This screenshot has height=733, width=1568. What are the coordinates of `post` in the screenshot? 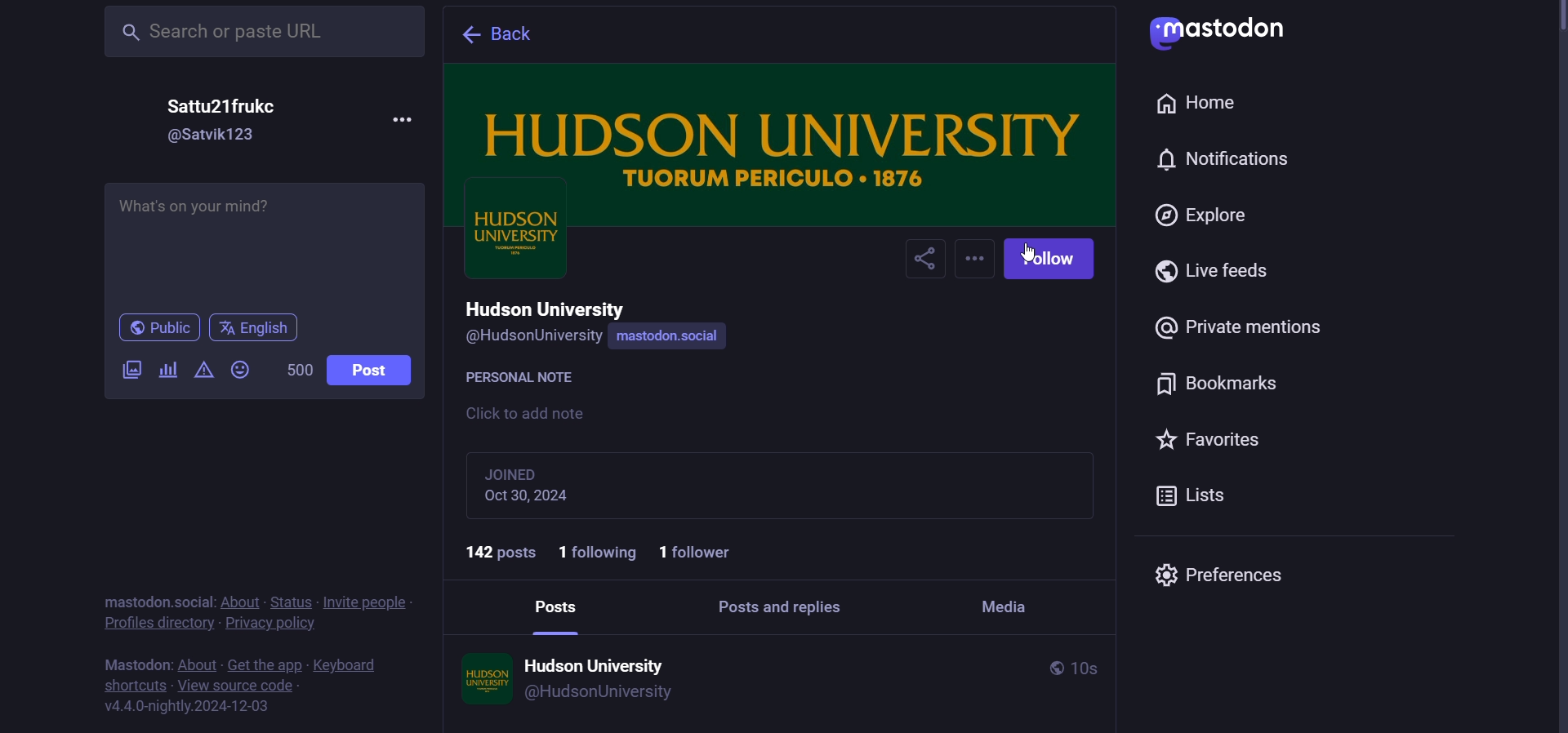 It's located at (377, 374).